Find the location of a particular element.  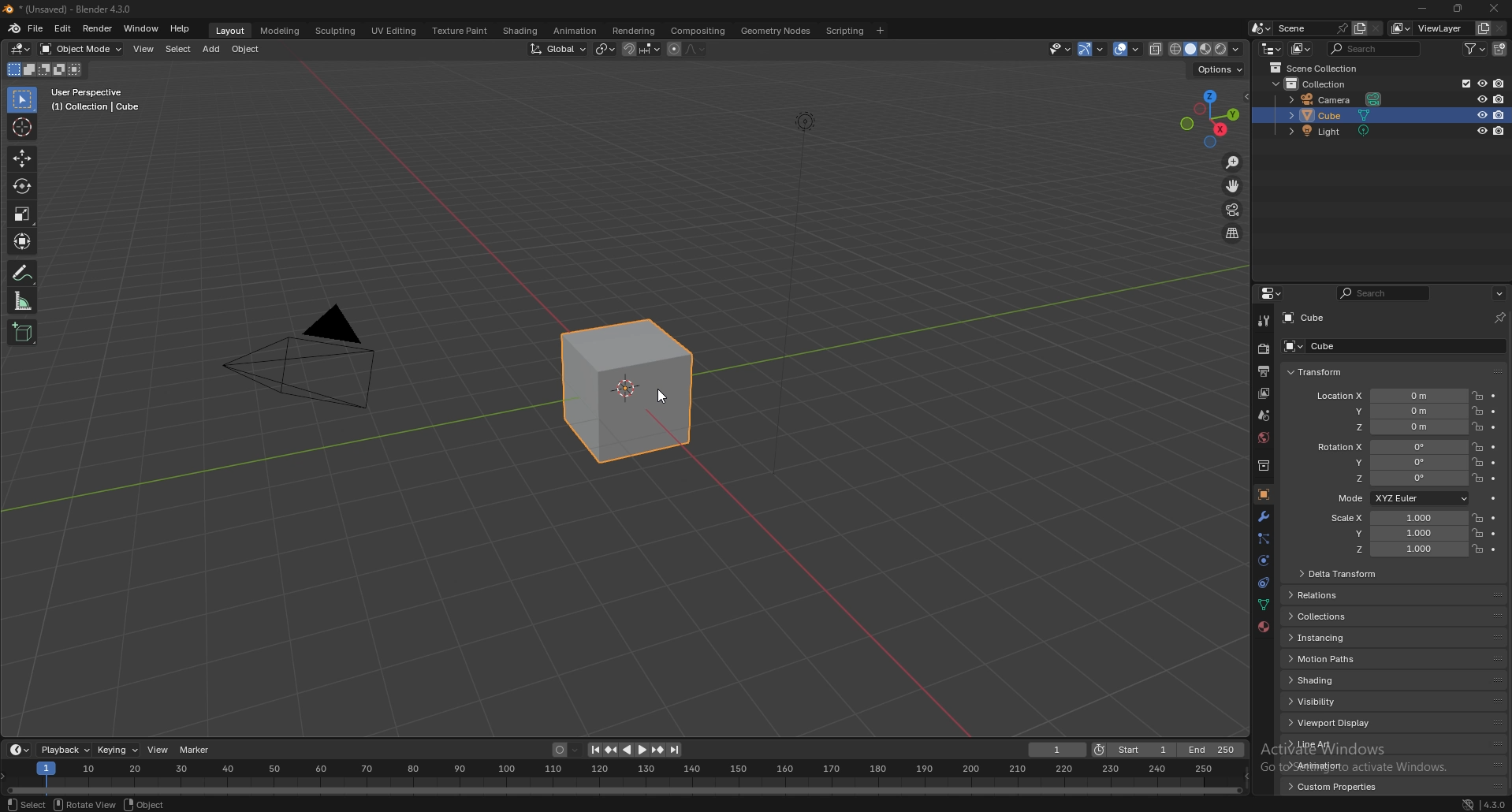

animate property is located at coordinates (1494, 534).